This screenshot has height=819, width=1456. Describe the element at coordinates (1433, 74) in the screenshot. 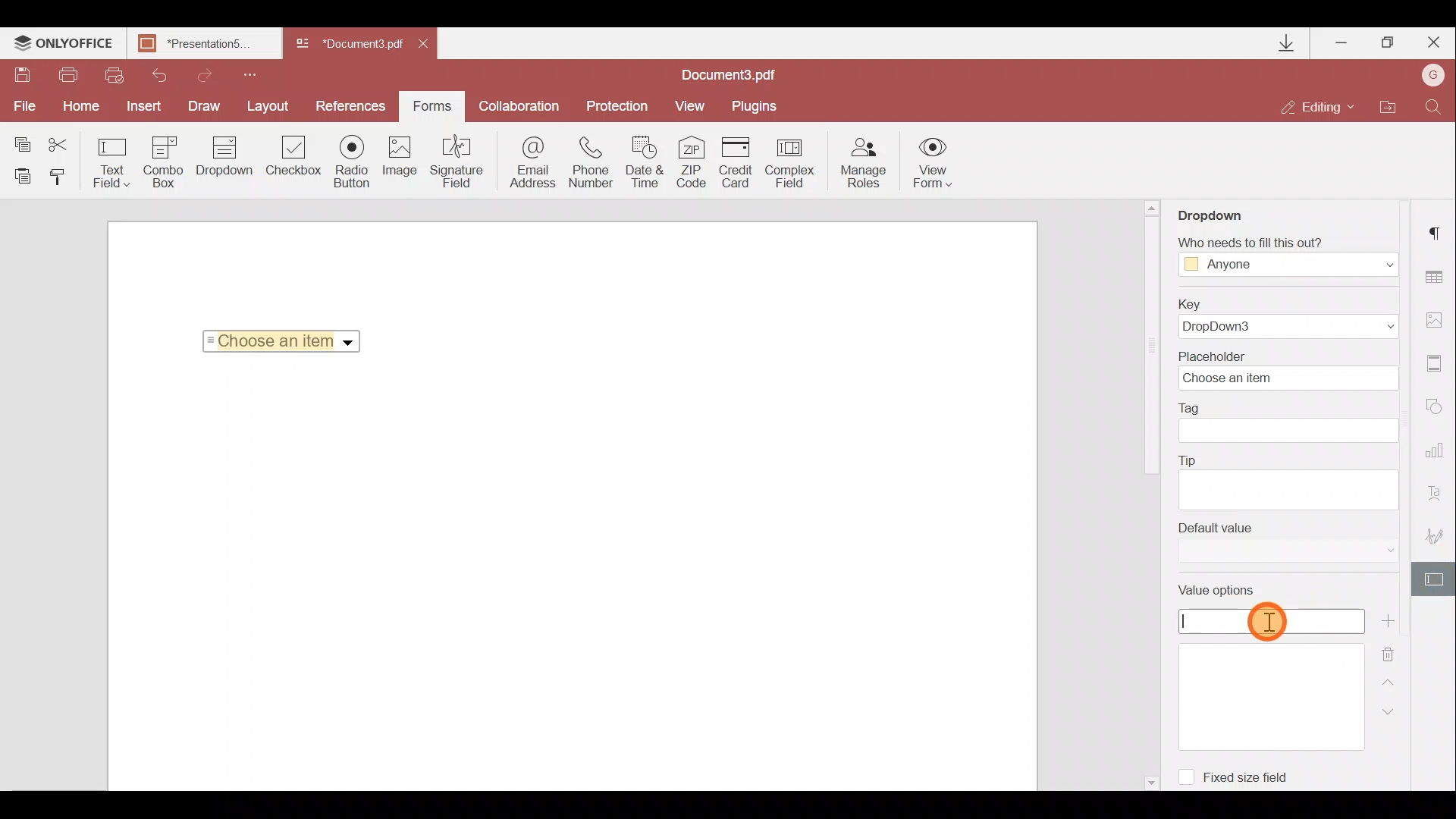

I see `Account name` at that location.